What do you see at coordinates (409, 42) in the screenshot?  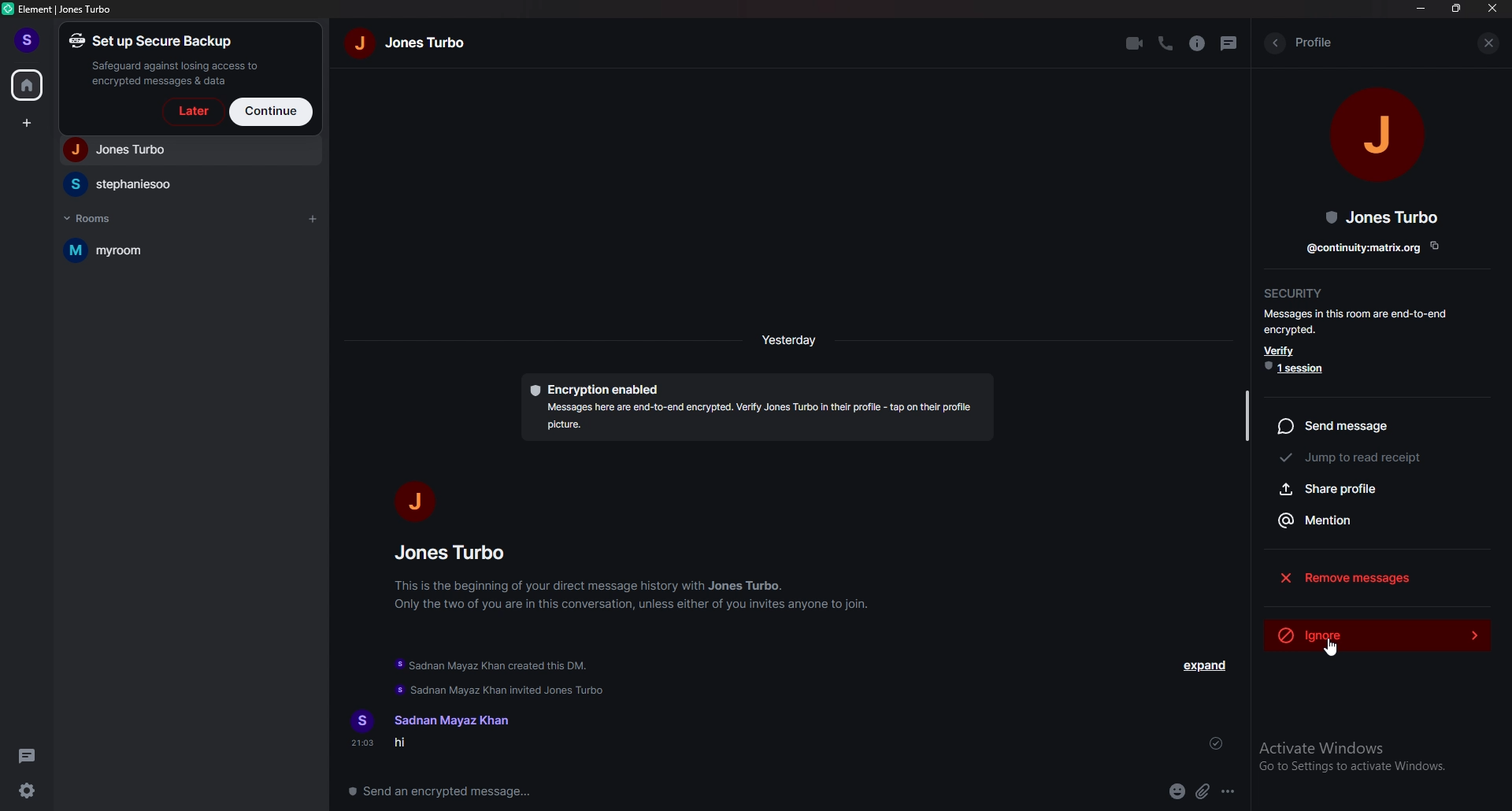 I see `name` at bounding box center [409, 42].